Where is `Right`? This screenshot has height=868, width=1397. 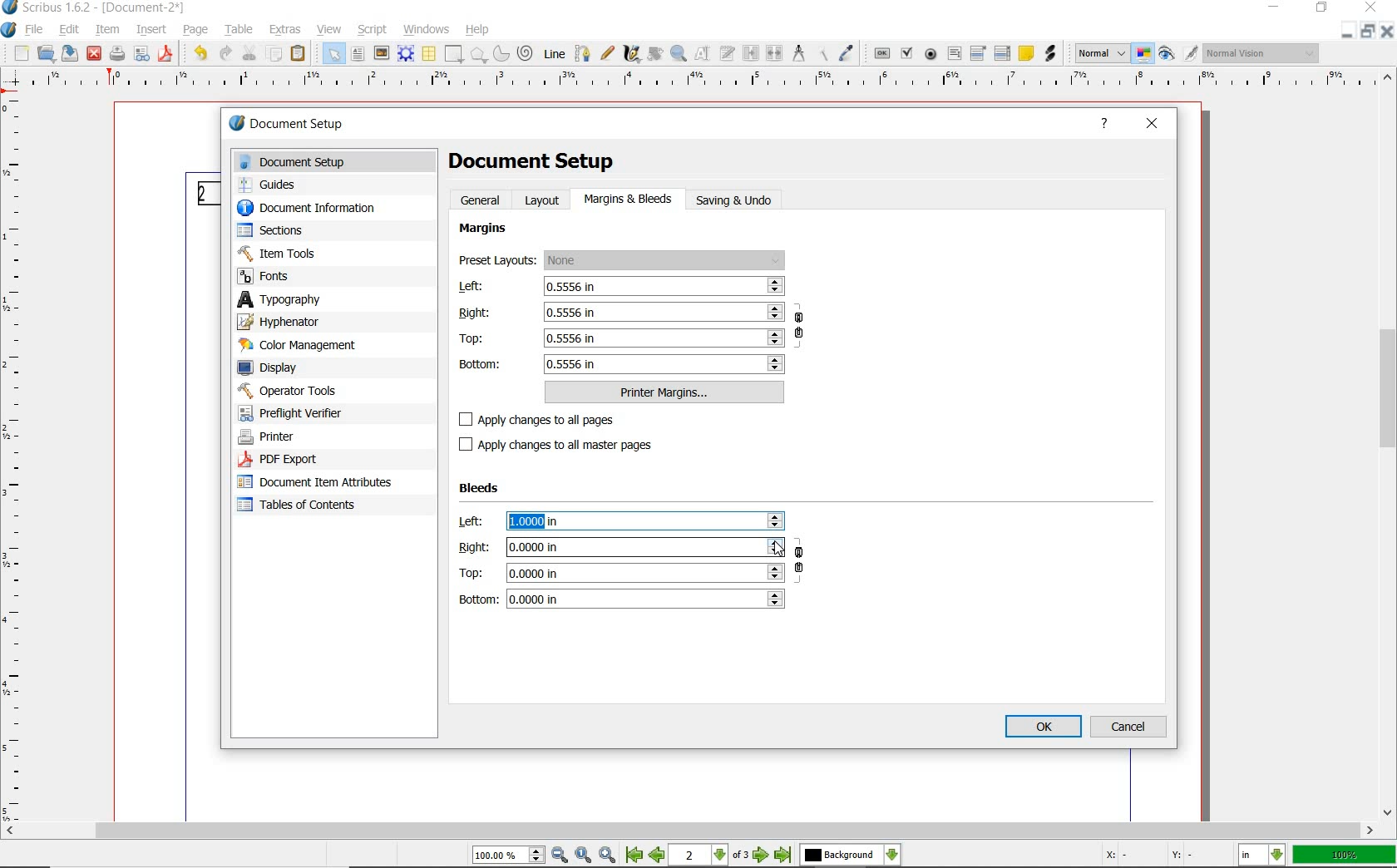 Right is located at coordinates (620, 547).